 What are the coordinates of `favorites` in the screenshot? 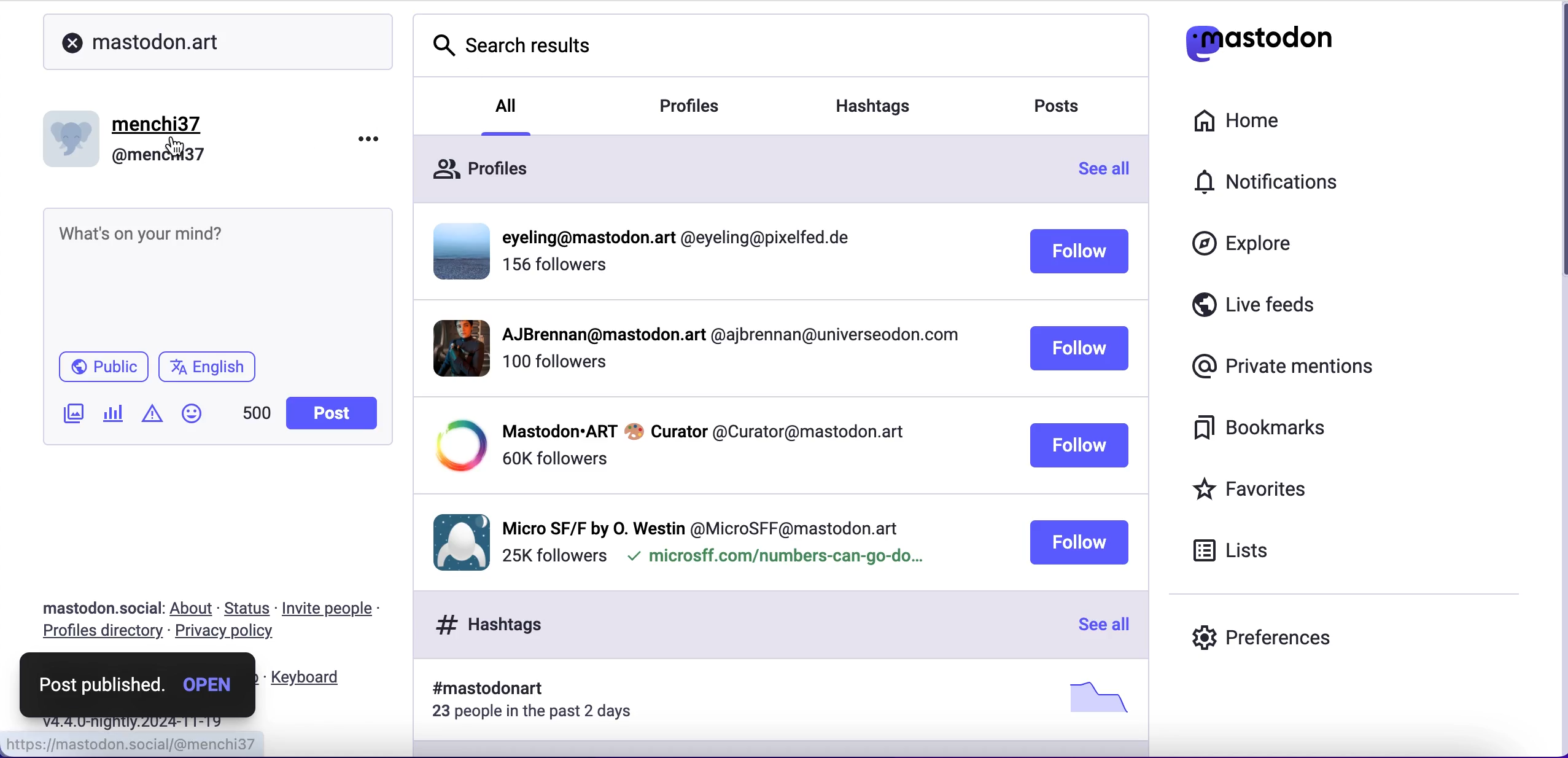 It's located at (1251, 485).